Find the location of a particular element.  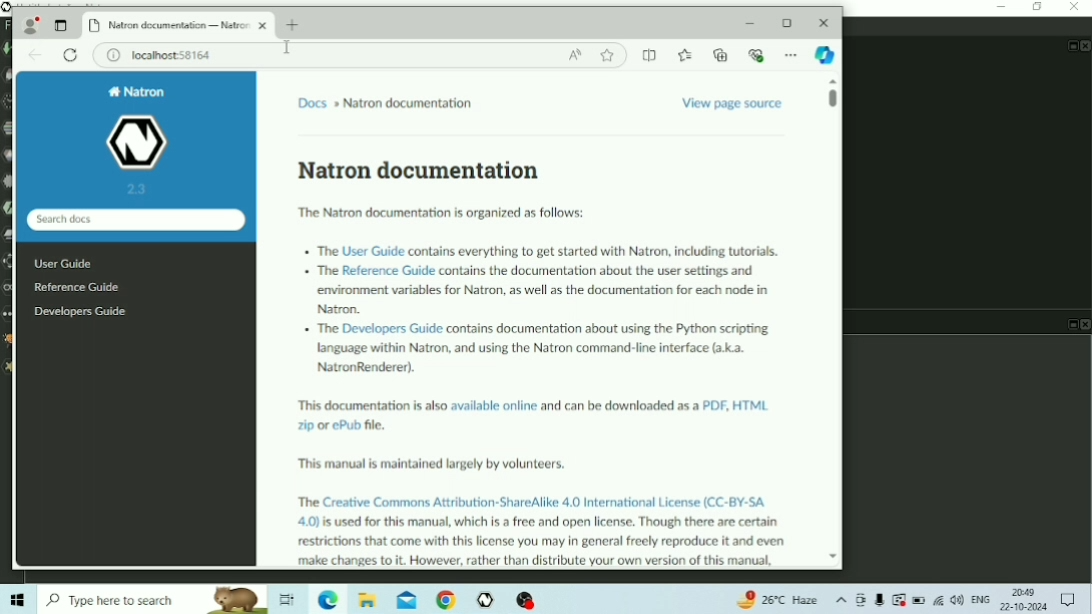

Restore Down is located at coordinates (1038, 7).